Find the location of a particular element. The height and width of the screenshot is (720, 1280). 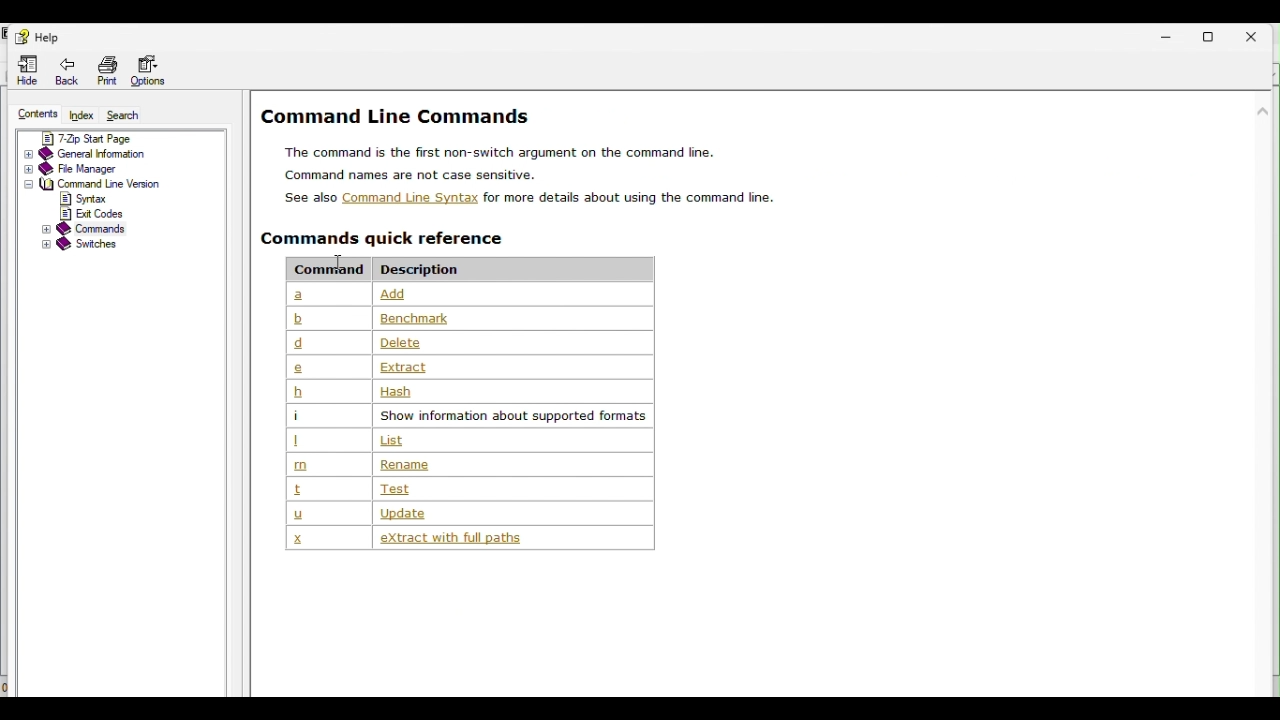

l is located at coordinates (300, 442).